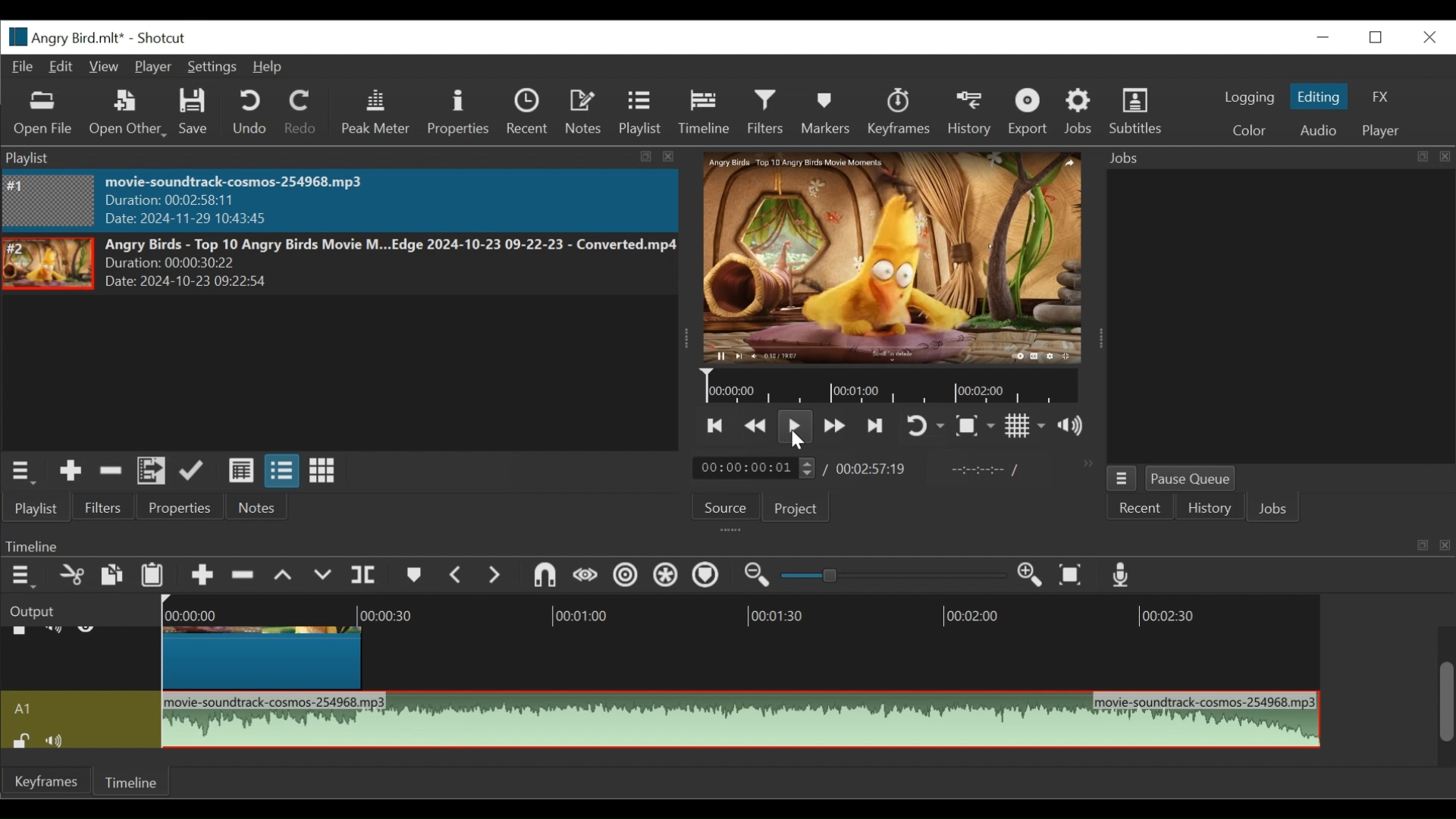 The width and height of the screenshot is (1456, 819). Describe the element at coordinates (303, 112) in the screenshot. I see `Redo` at that location.